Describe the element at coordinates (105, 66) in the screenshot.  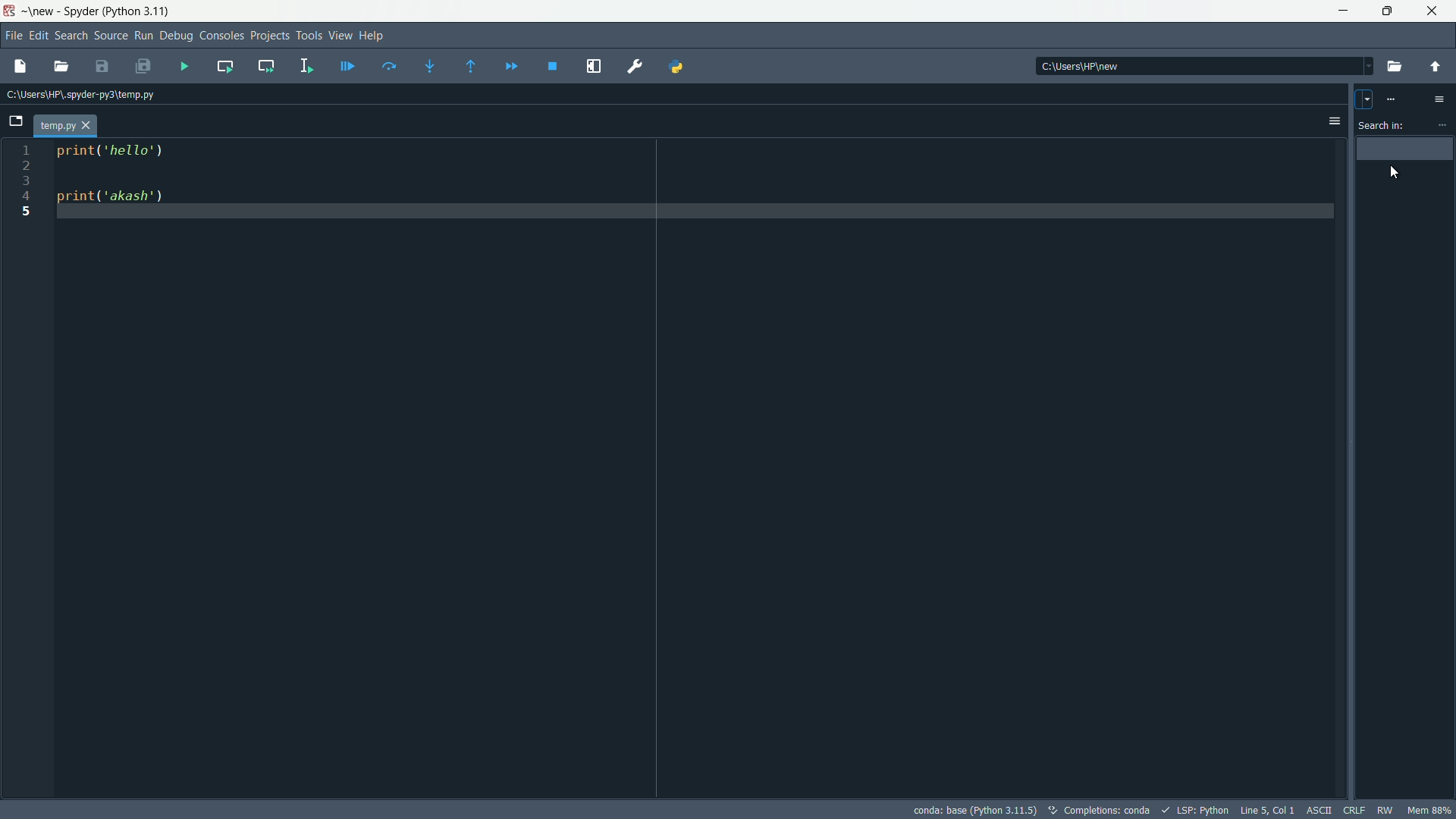
I see `save file` at that location.